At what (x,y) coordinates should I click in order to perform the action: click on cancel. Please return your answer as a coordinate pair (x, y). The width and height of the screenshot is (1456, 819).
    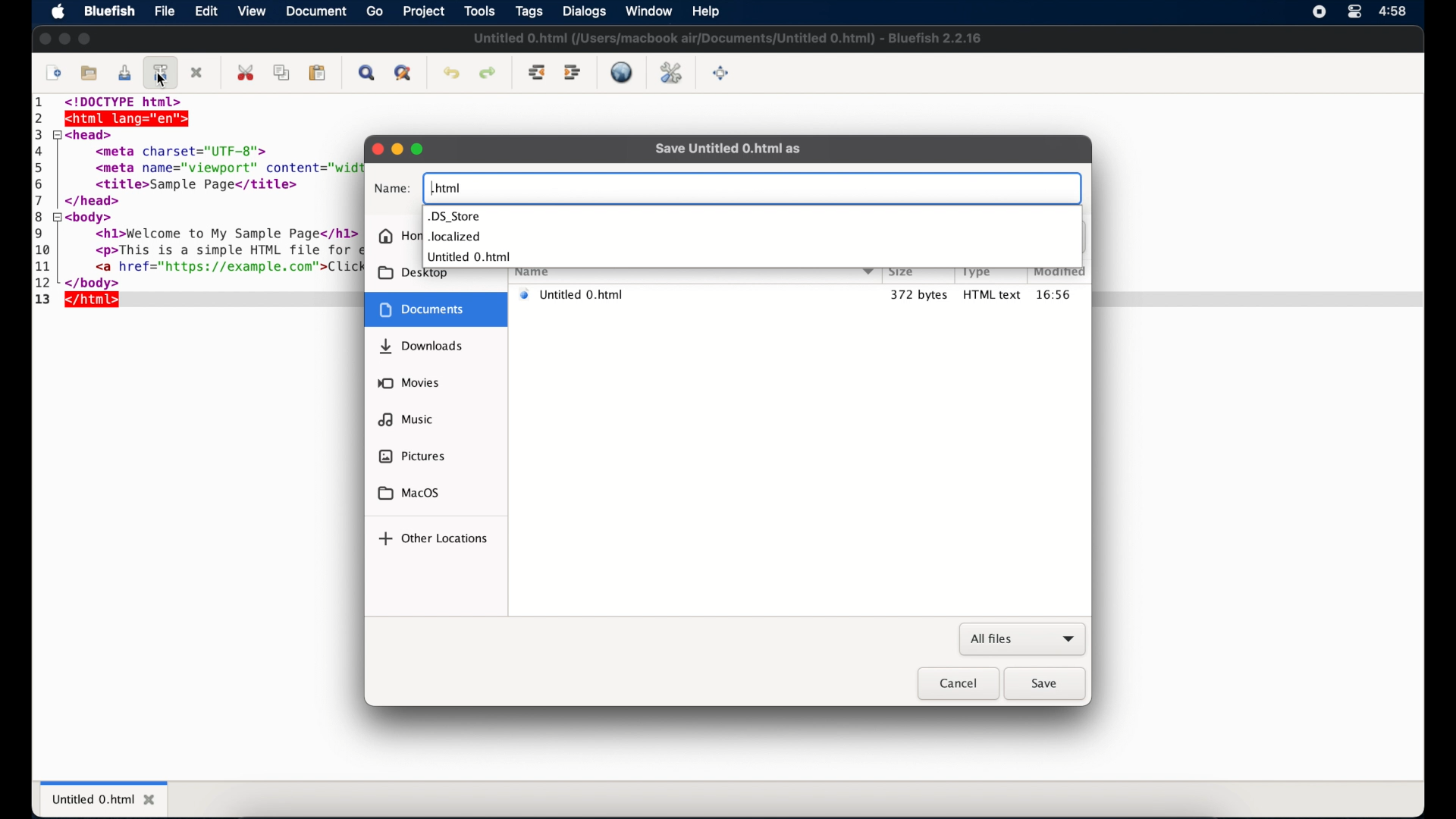
    Looking at the image, I should click on (958, 684).